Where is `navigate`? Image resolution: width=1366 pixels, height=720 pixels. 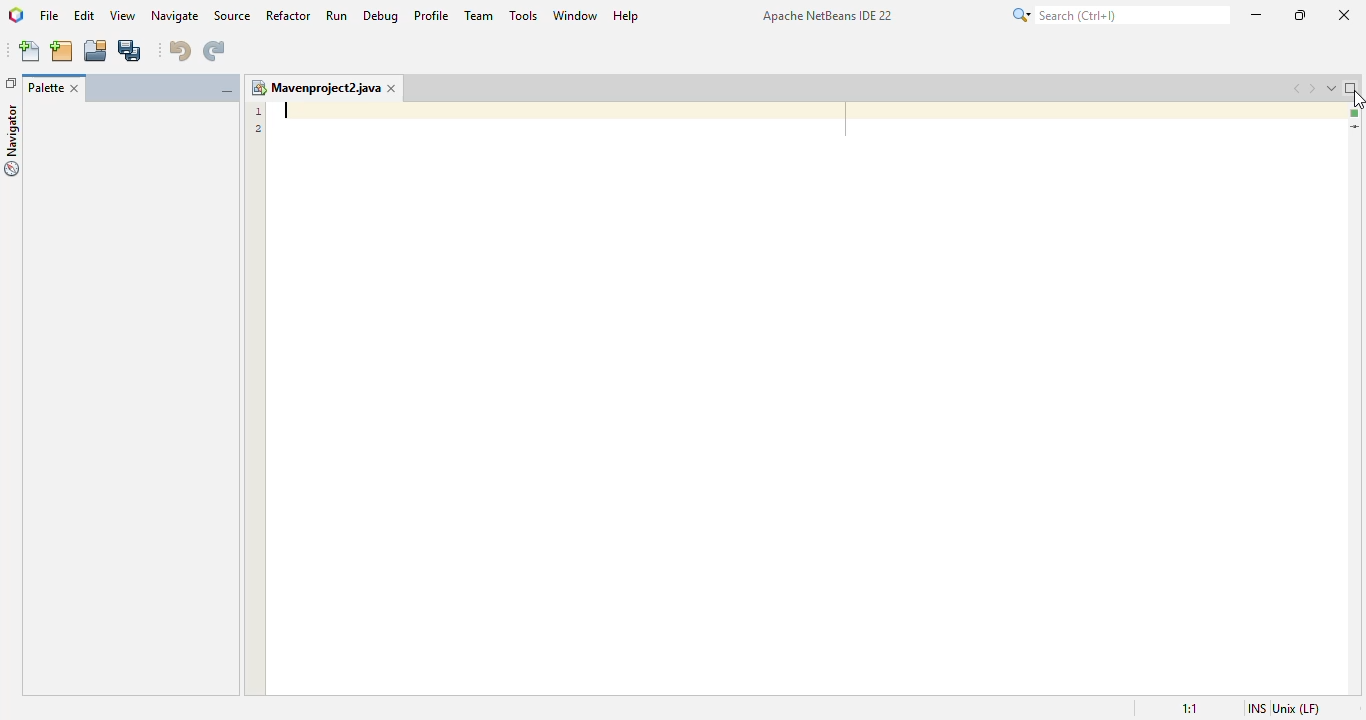
navigate is located at coordinates (175, 16).